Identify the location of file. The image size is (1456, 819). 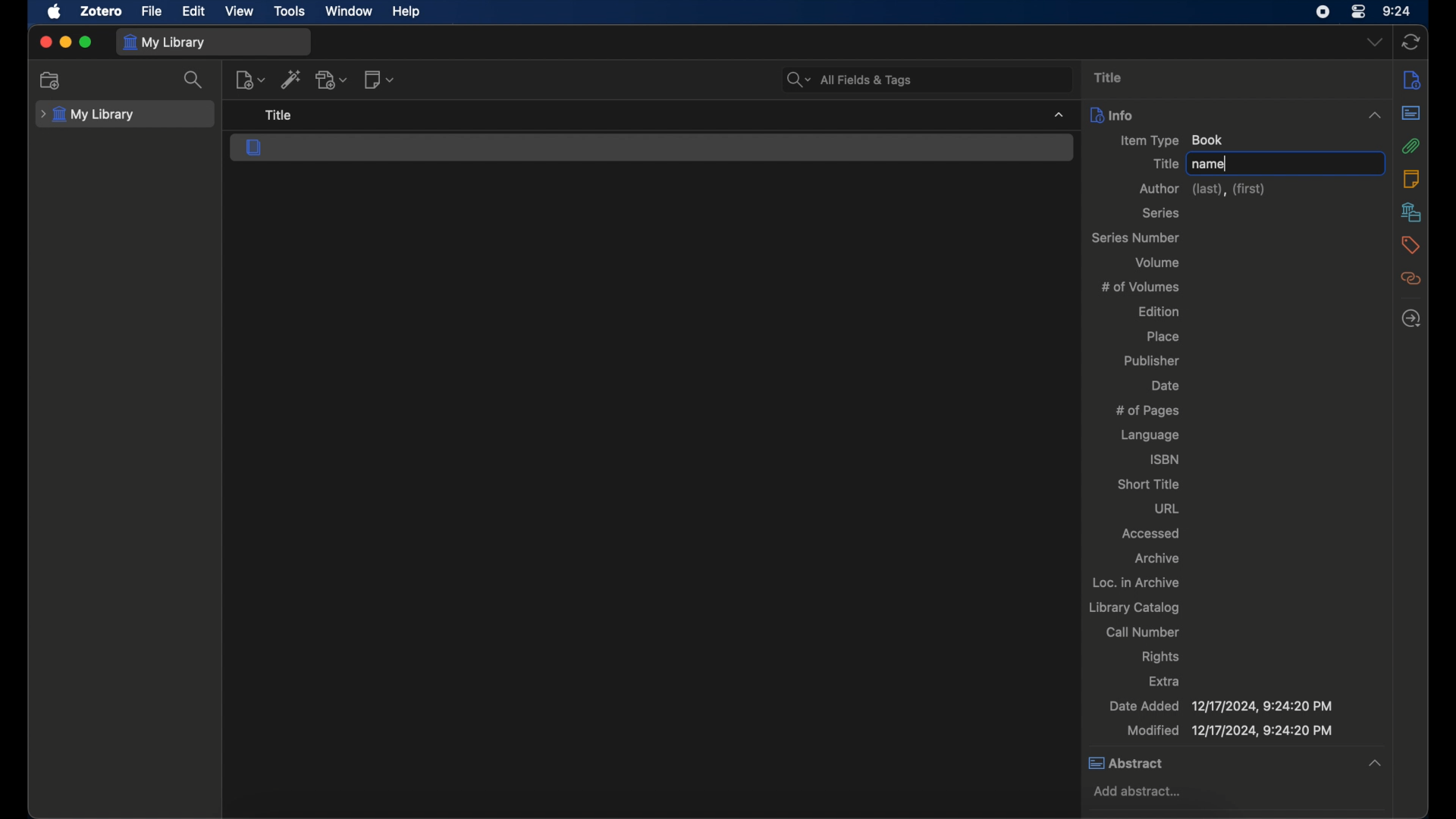
(152, 12).